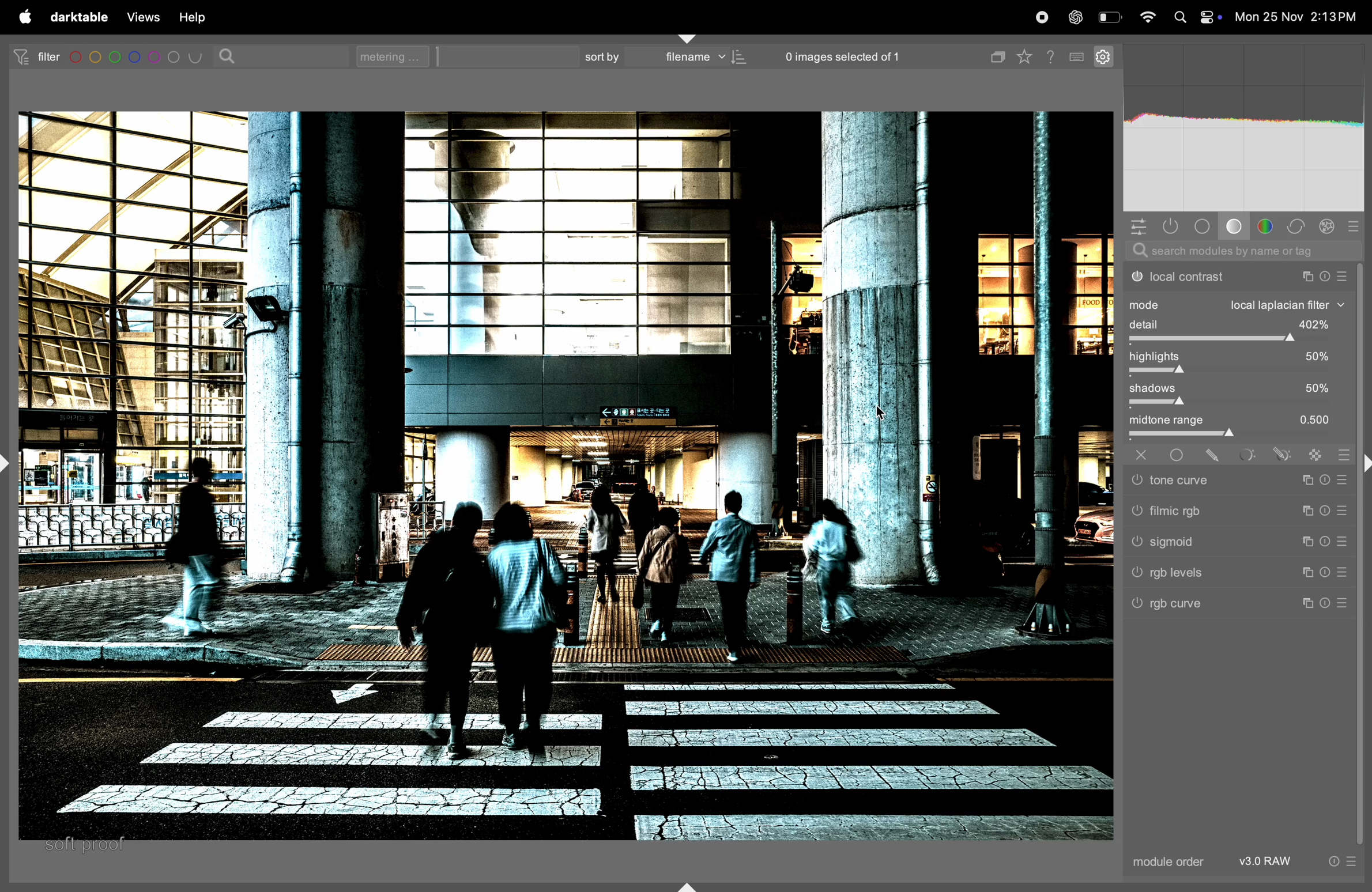 The height and width of the screenshot is (892, 1372). I want to click on toggle, so click(1242, 436).